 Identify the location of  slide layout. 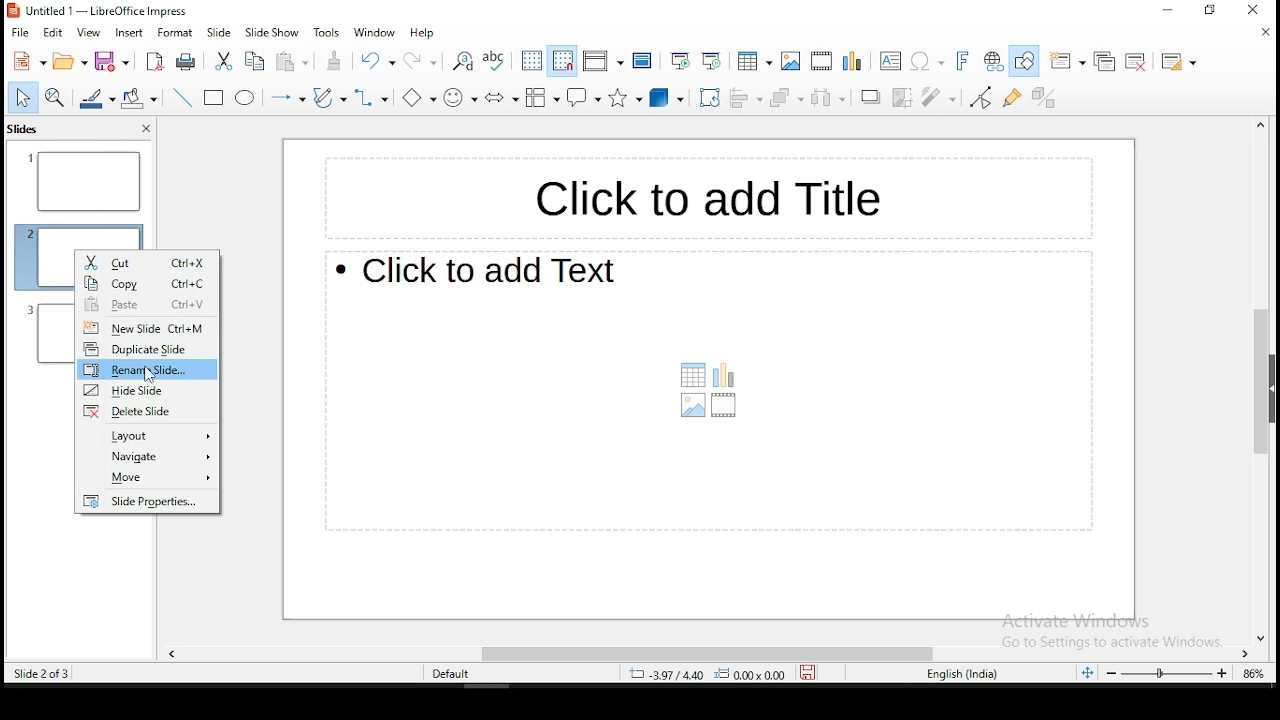
(1178, 62).